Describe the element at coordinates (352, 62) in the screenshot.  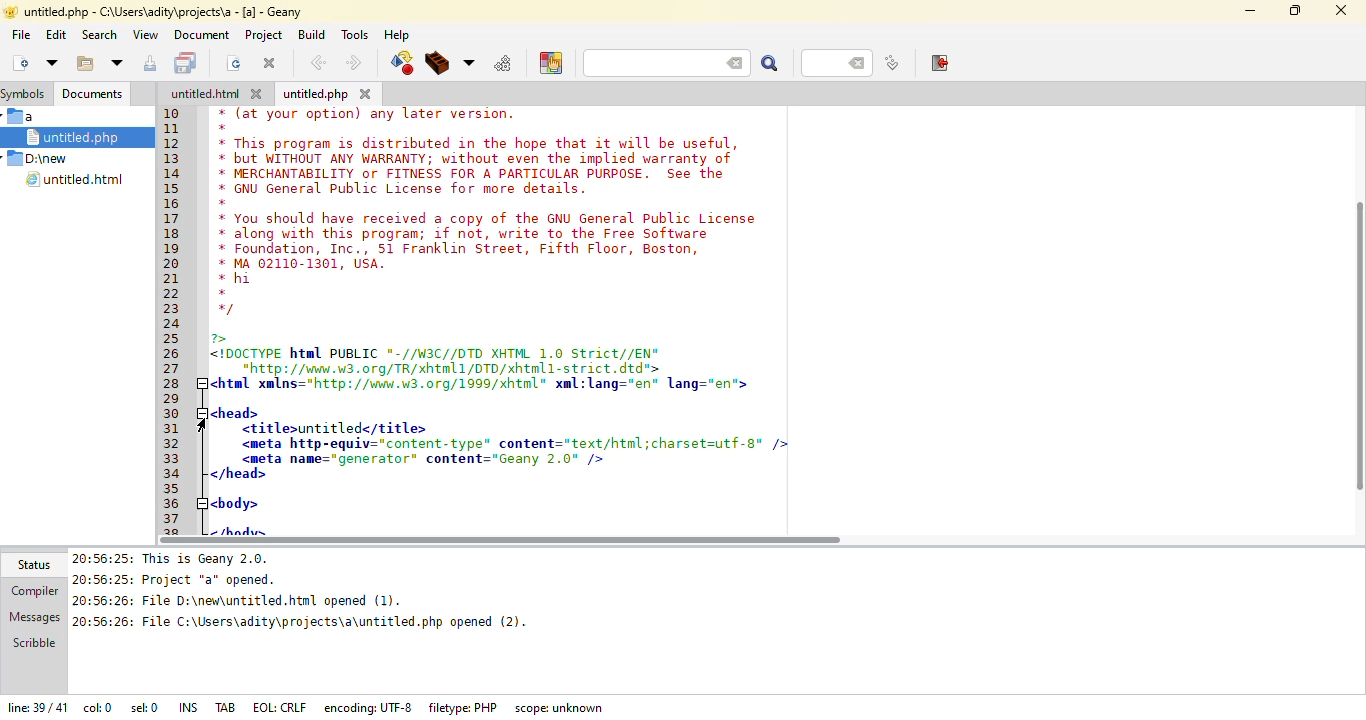
I see `next` at that location.